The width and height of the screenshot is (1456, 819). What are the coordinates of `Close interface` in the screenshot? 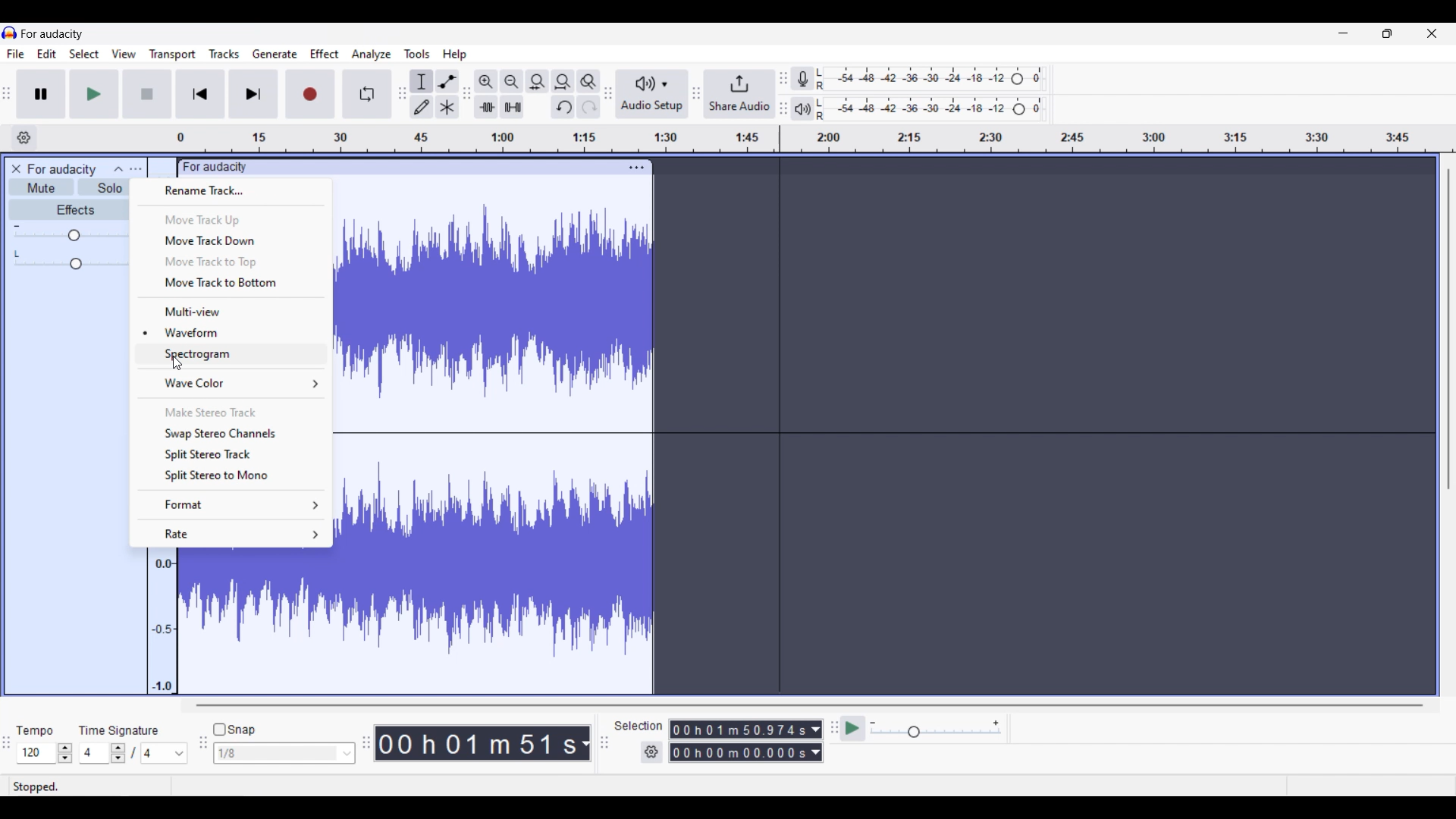 It's located at (1432, 33).